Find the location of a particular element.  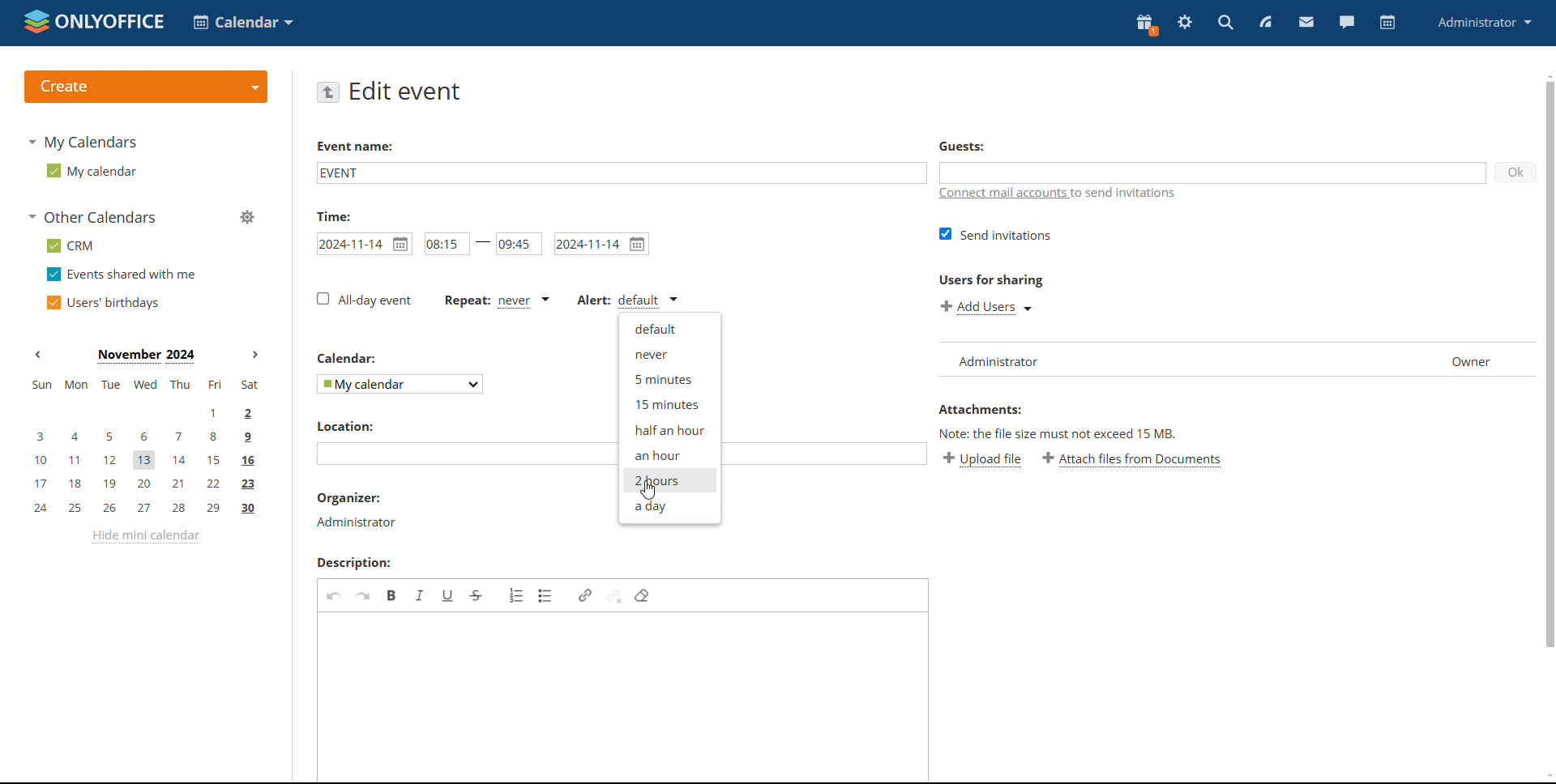

an hour is located at coordinates (669, 457).